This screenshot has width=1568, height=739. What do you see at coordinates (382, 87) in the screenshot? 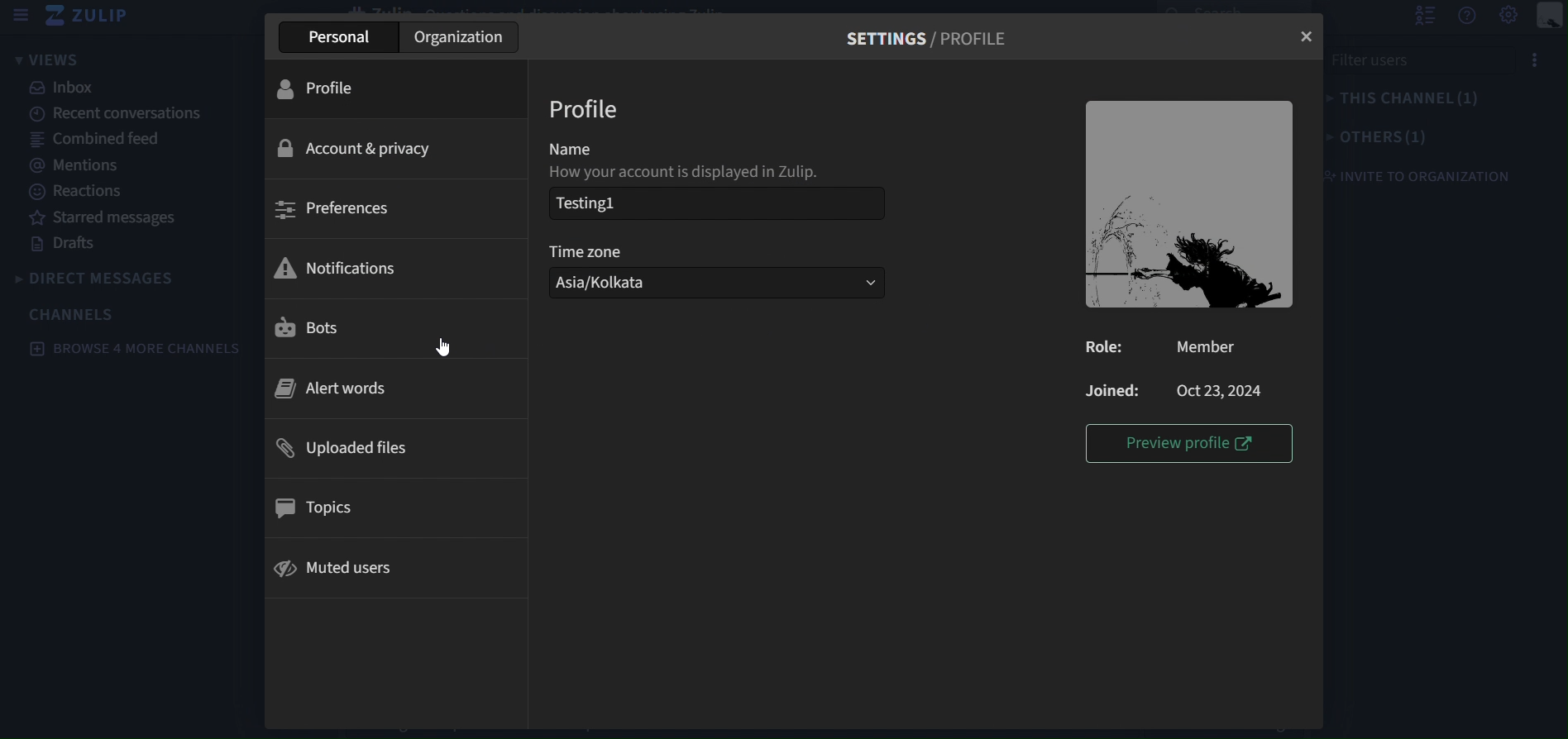
I see `profile` at bounding box center [382, 87].